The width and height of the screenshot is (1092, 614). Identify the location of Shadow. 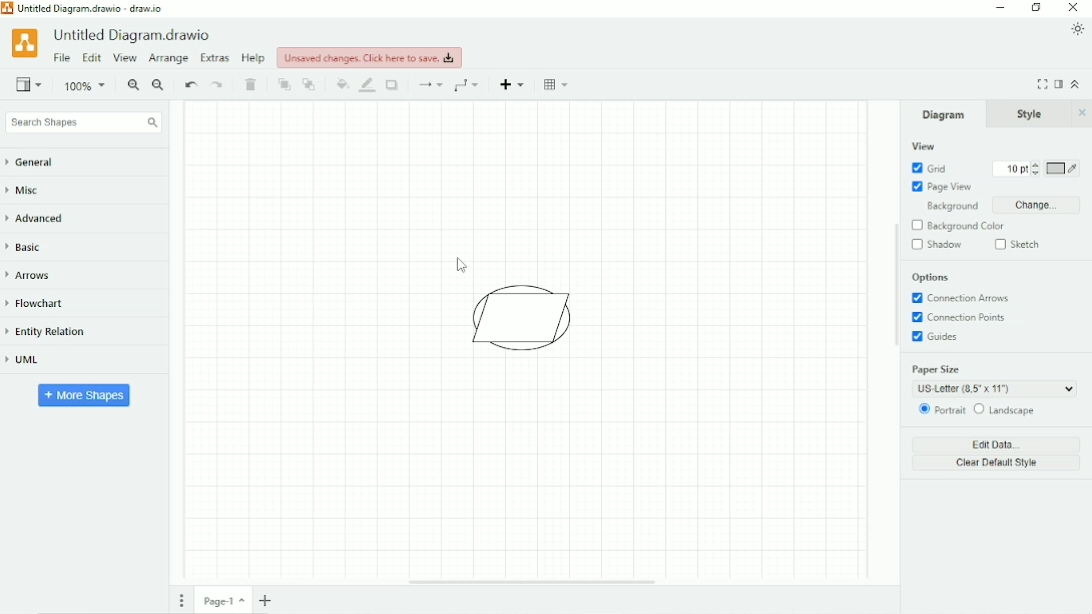
(937, 245).